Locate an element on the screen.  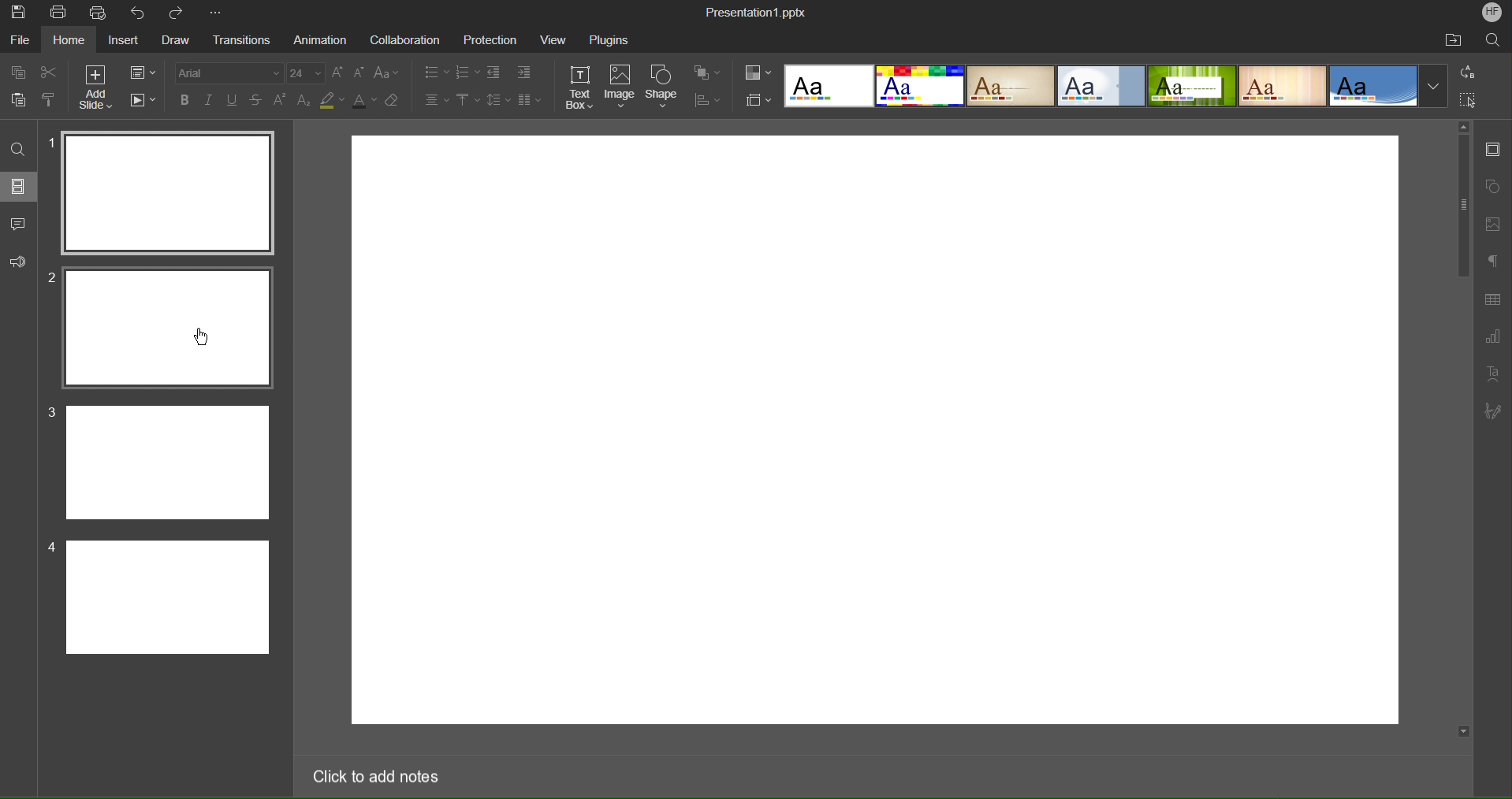
Font  is located at coordinates (223, 71).